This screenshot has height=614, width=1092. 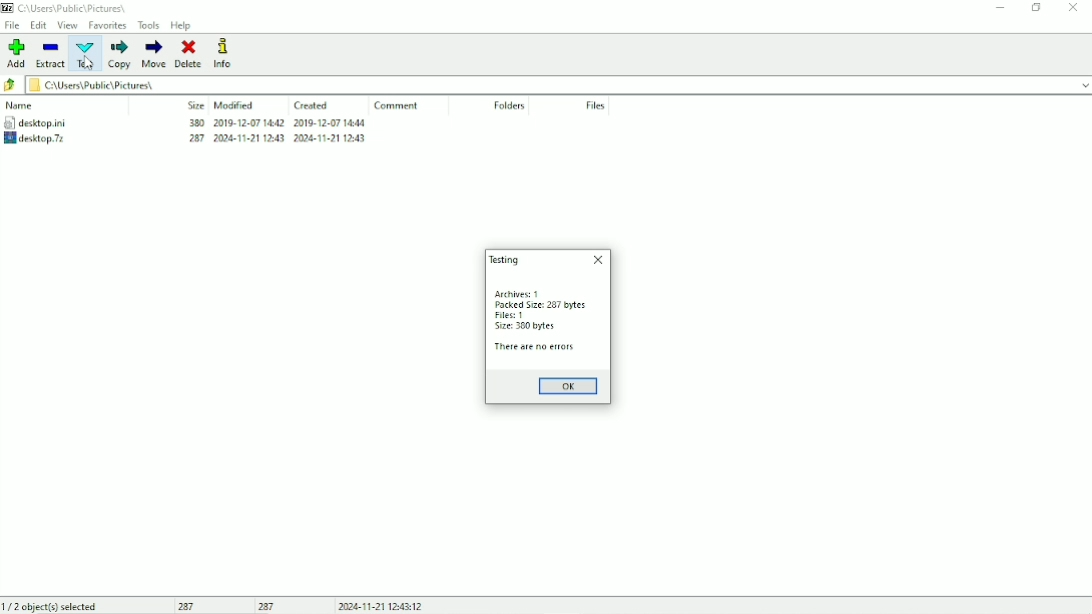 I want to click on Comment, so click(x=398, y=106).